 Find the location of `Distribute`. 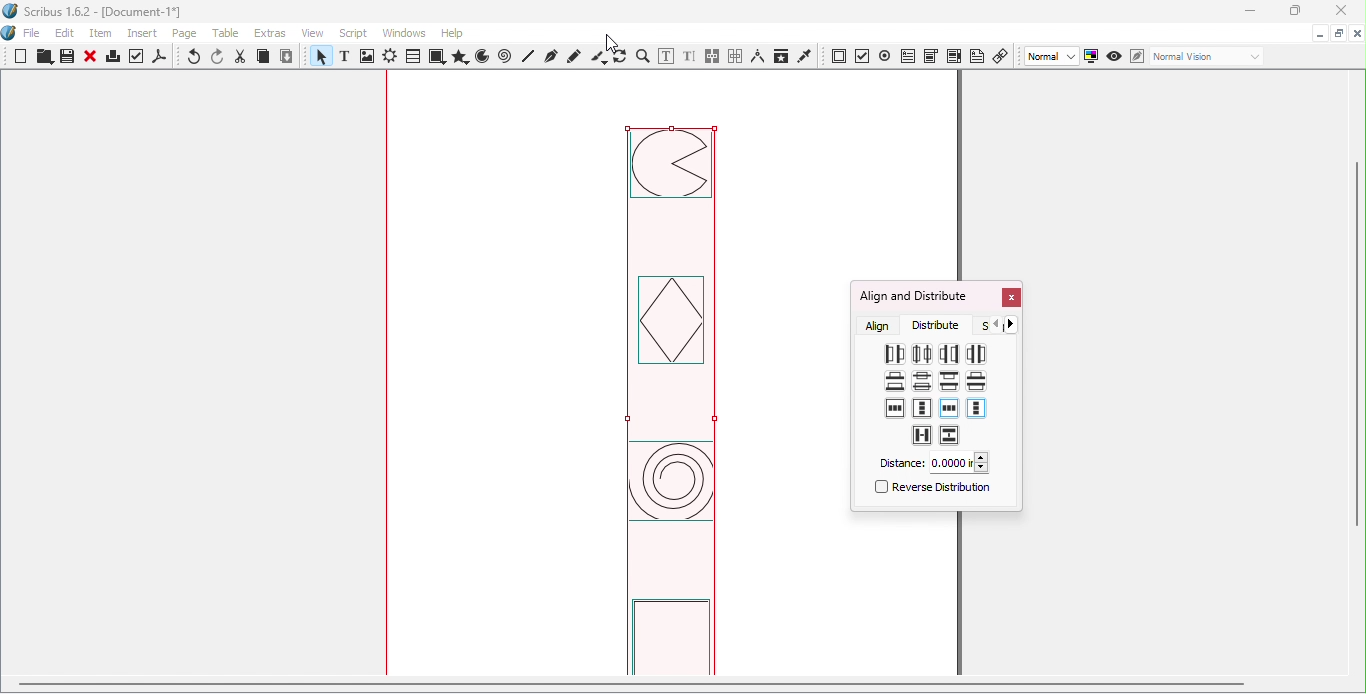

Distribute is located at coordinates (941, 325).